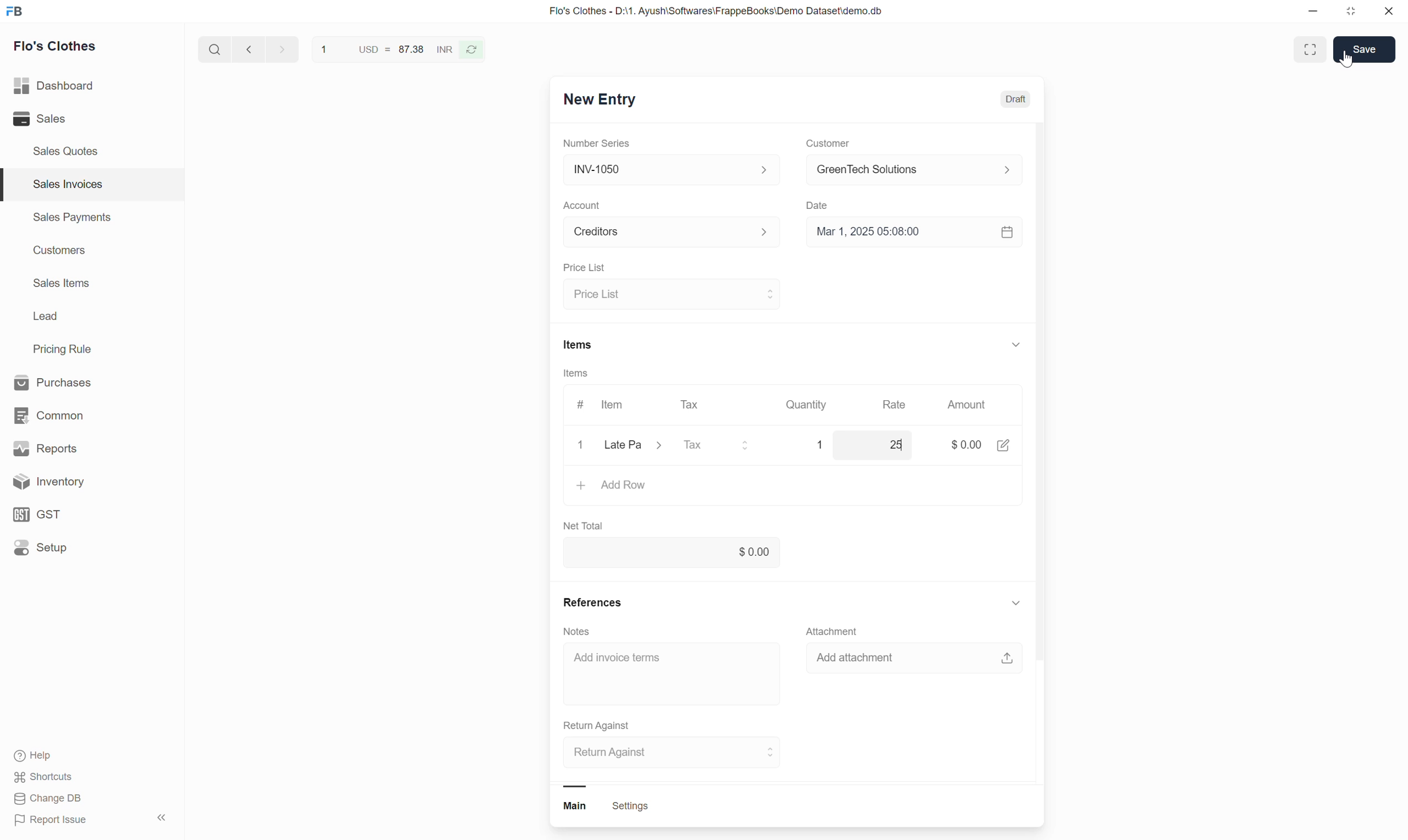 The width and height of the screenshot is (1408, 840). I want to click on Frappe Book logo, so click(18, 12).